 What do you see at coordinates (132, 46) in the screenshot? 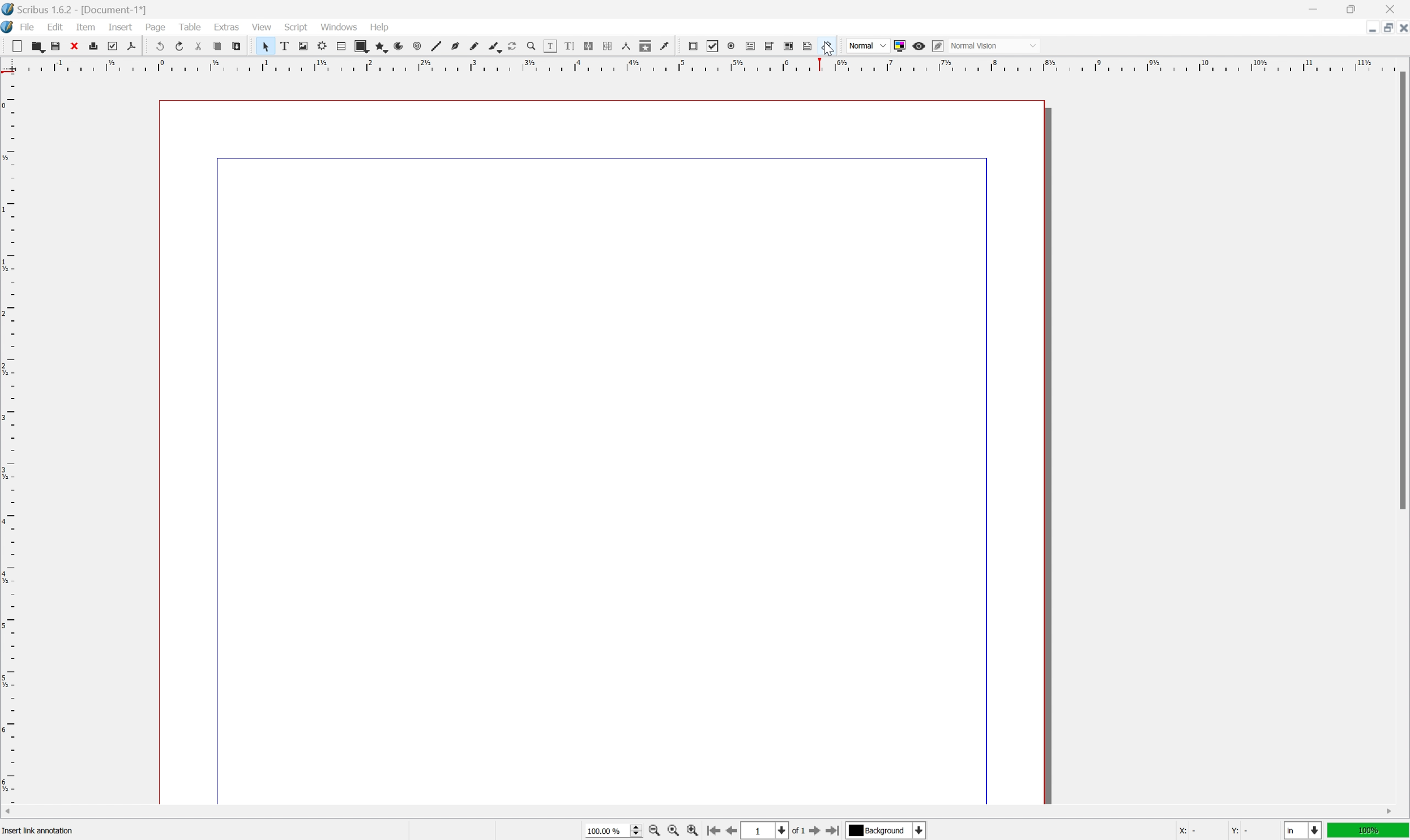
I see `save as pdf` at bounding box center [132, 46].